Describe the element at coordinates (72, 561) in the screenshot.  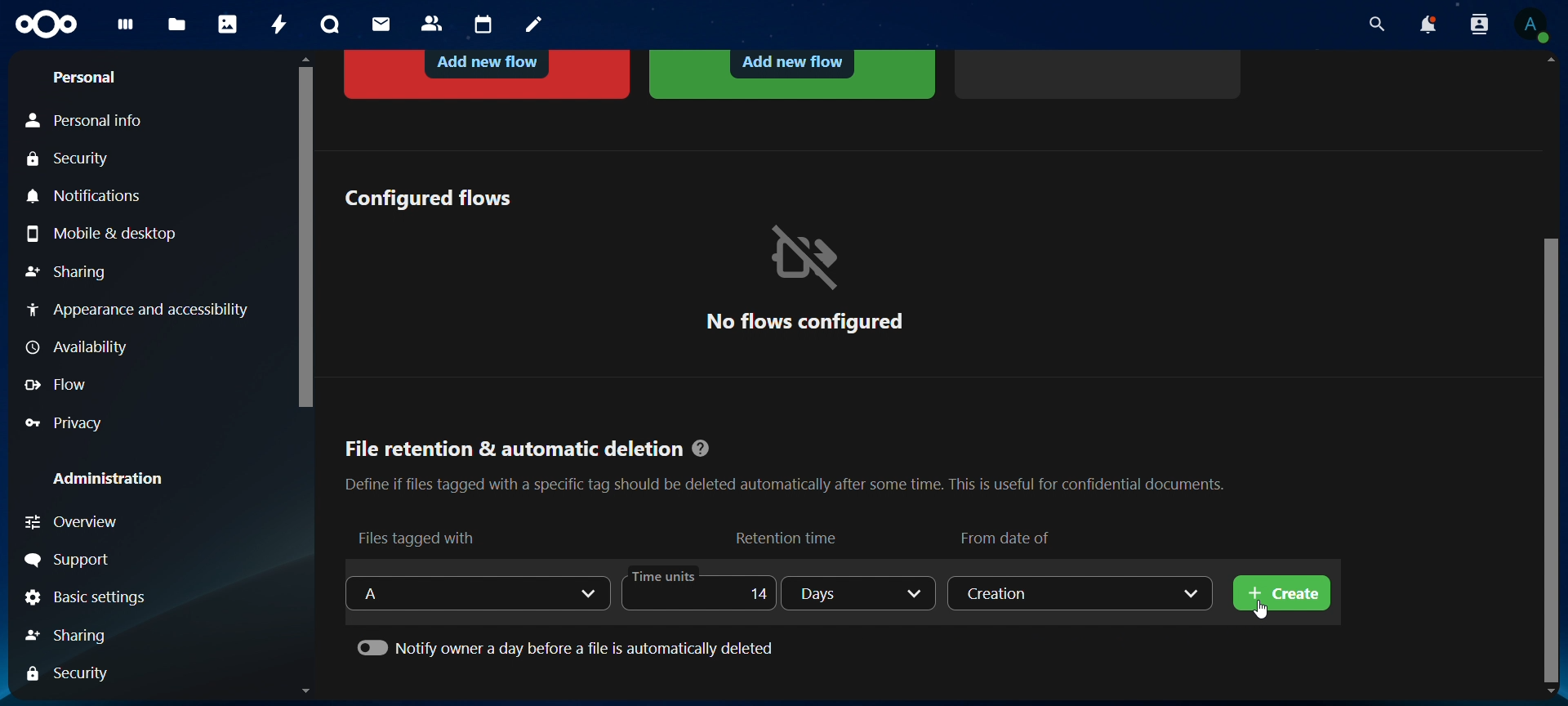
I see `support` at that location.